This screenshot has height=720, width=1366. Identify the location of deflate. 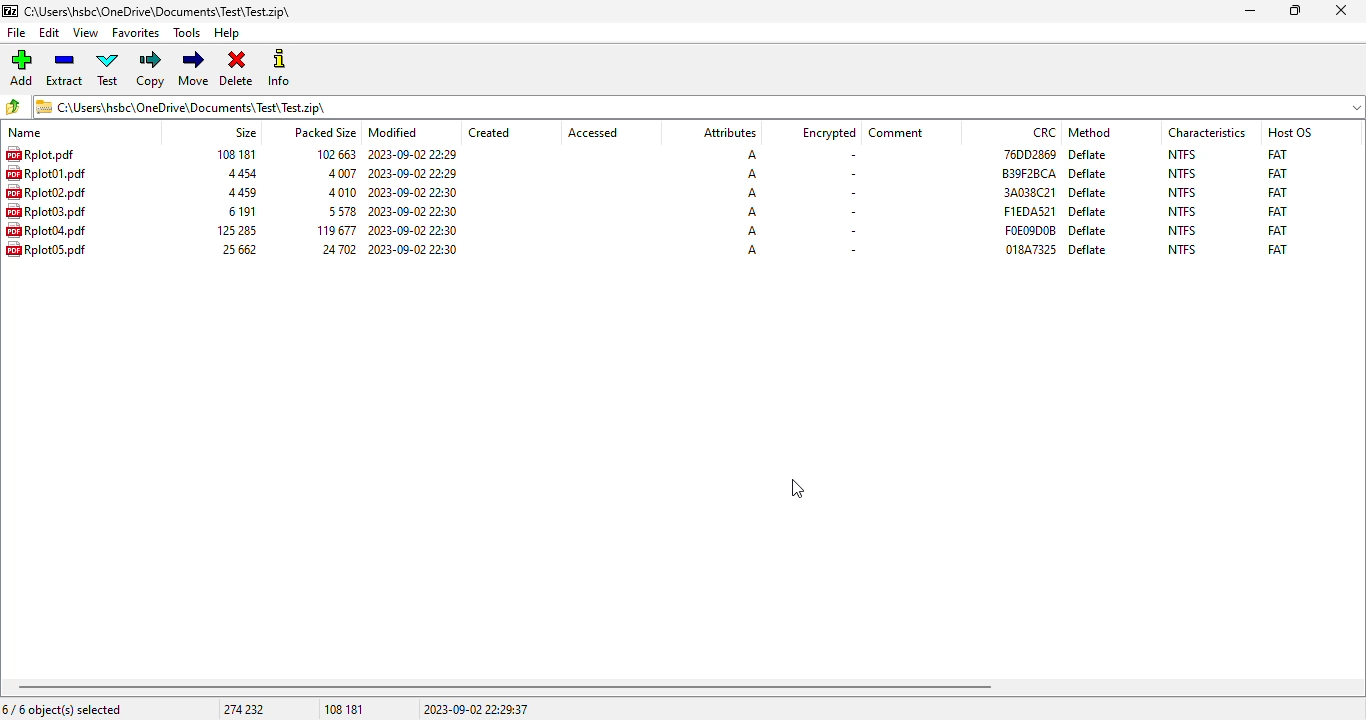
(1089, 154).